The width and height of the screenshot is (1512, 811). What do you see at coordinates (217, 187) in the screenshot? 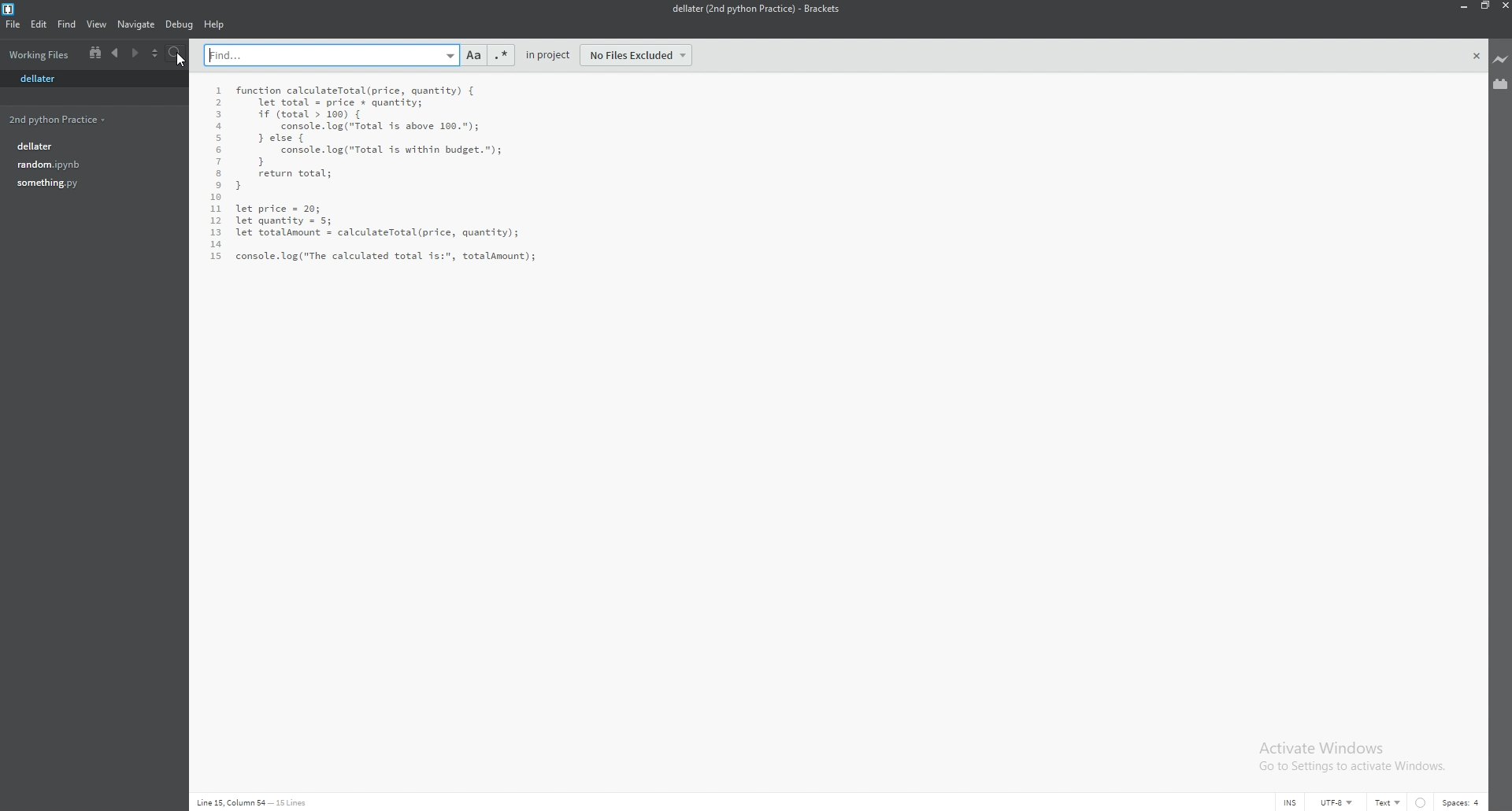
I see `9` at bounding box center [217, 187].